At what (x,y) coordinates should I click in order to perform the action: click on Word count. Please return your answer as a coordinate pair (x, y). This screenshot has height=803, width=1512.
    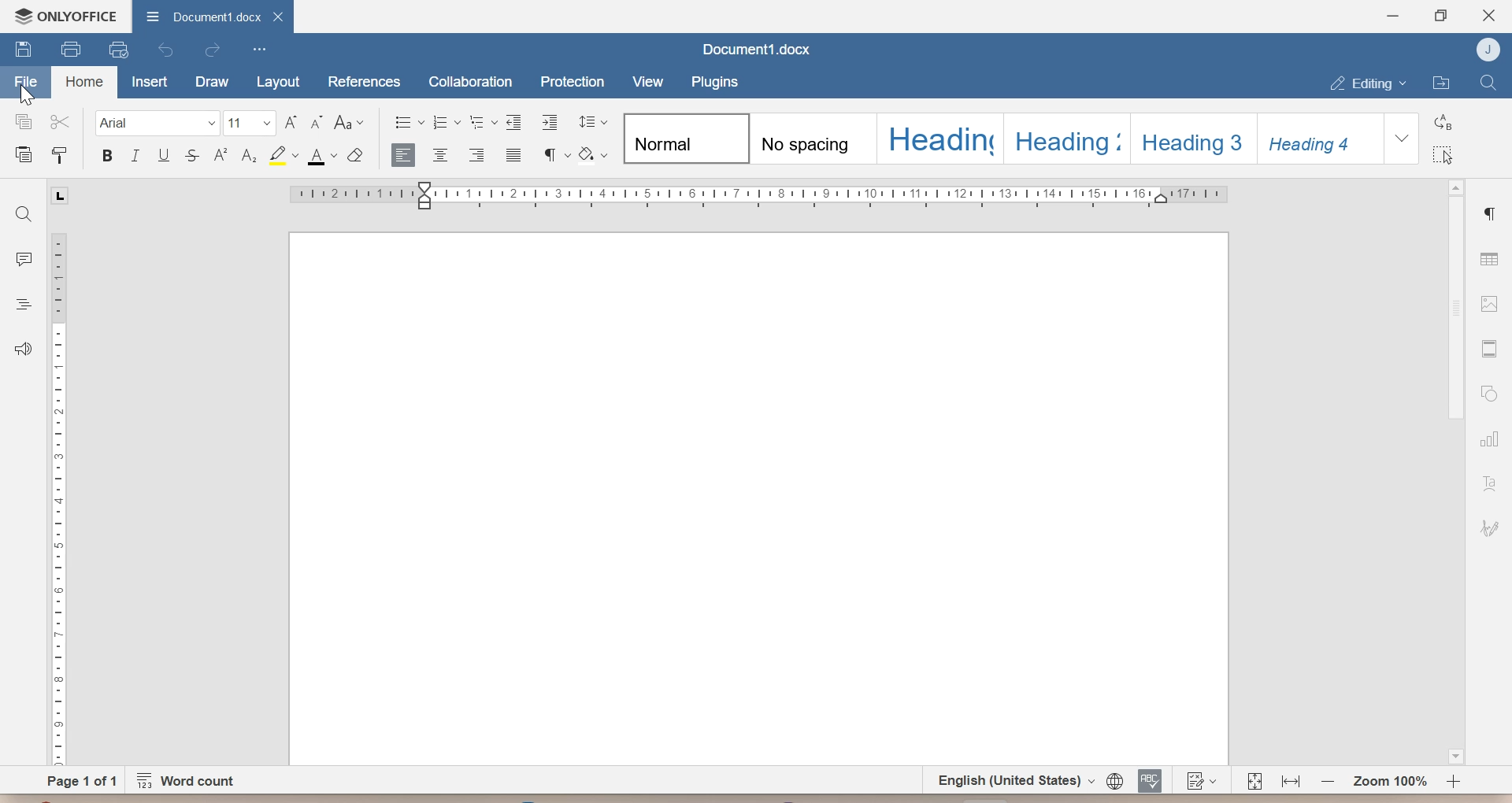
    Looking at the image, I should click on (192, 780).